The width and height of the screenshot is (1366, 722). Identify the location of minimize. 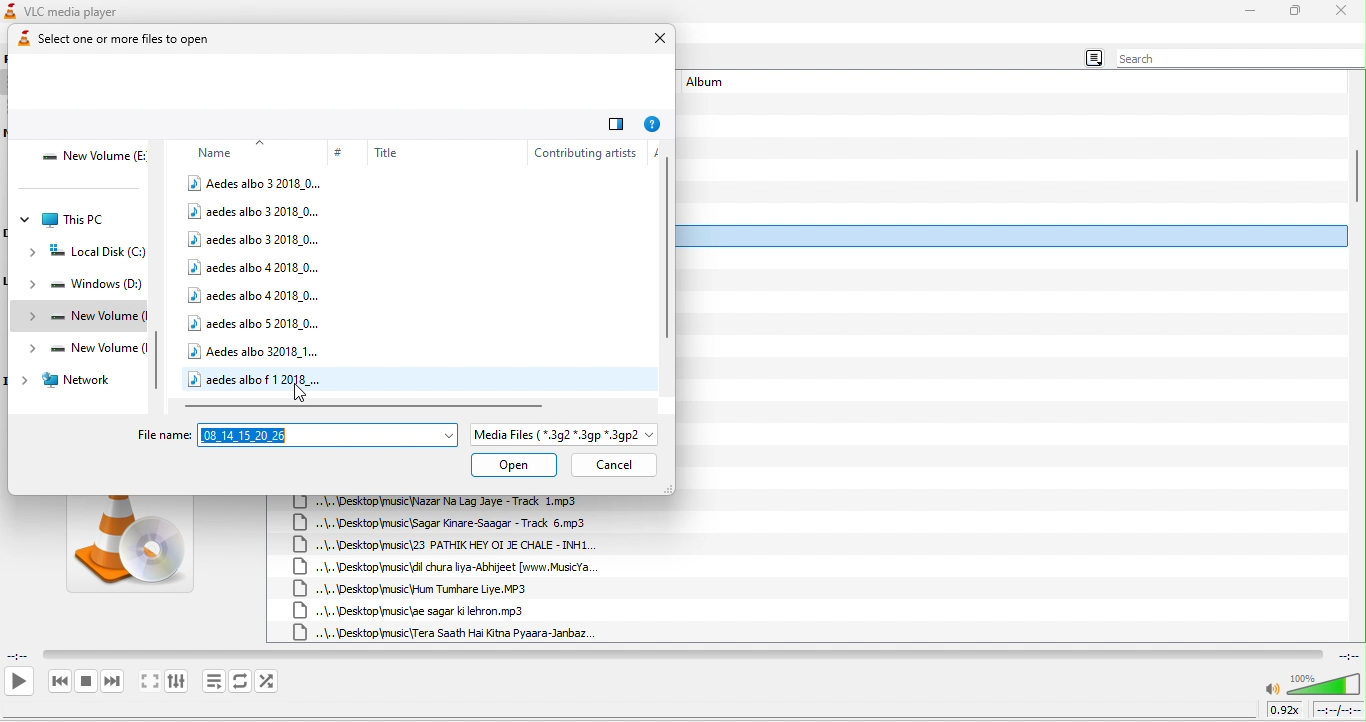
(1250, 11).